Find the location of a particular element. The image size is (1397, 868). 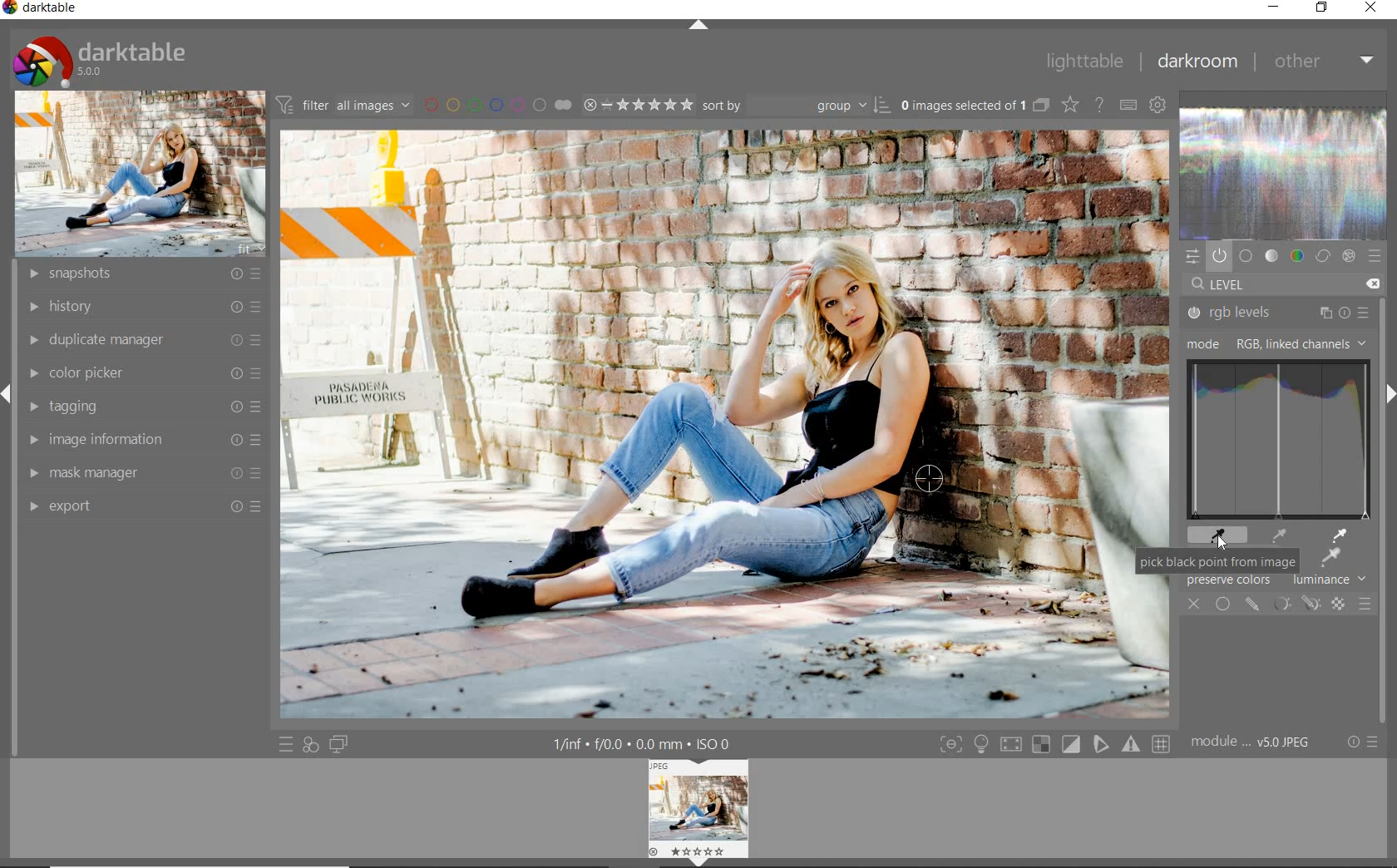

system name is located at coordinates (42, 9).